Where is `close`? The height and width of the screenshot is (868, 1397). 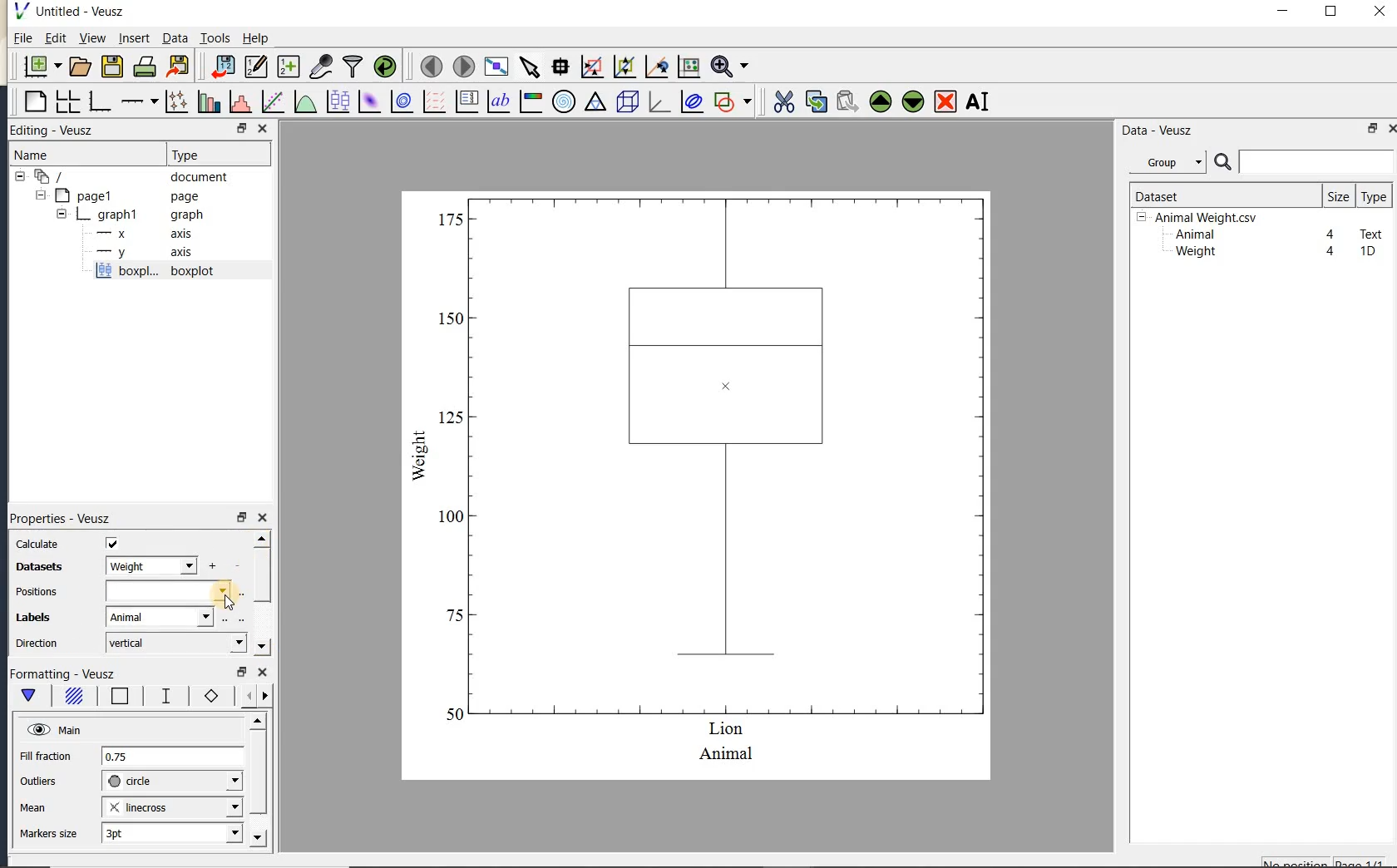 close is located at coordinates (263, 519).